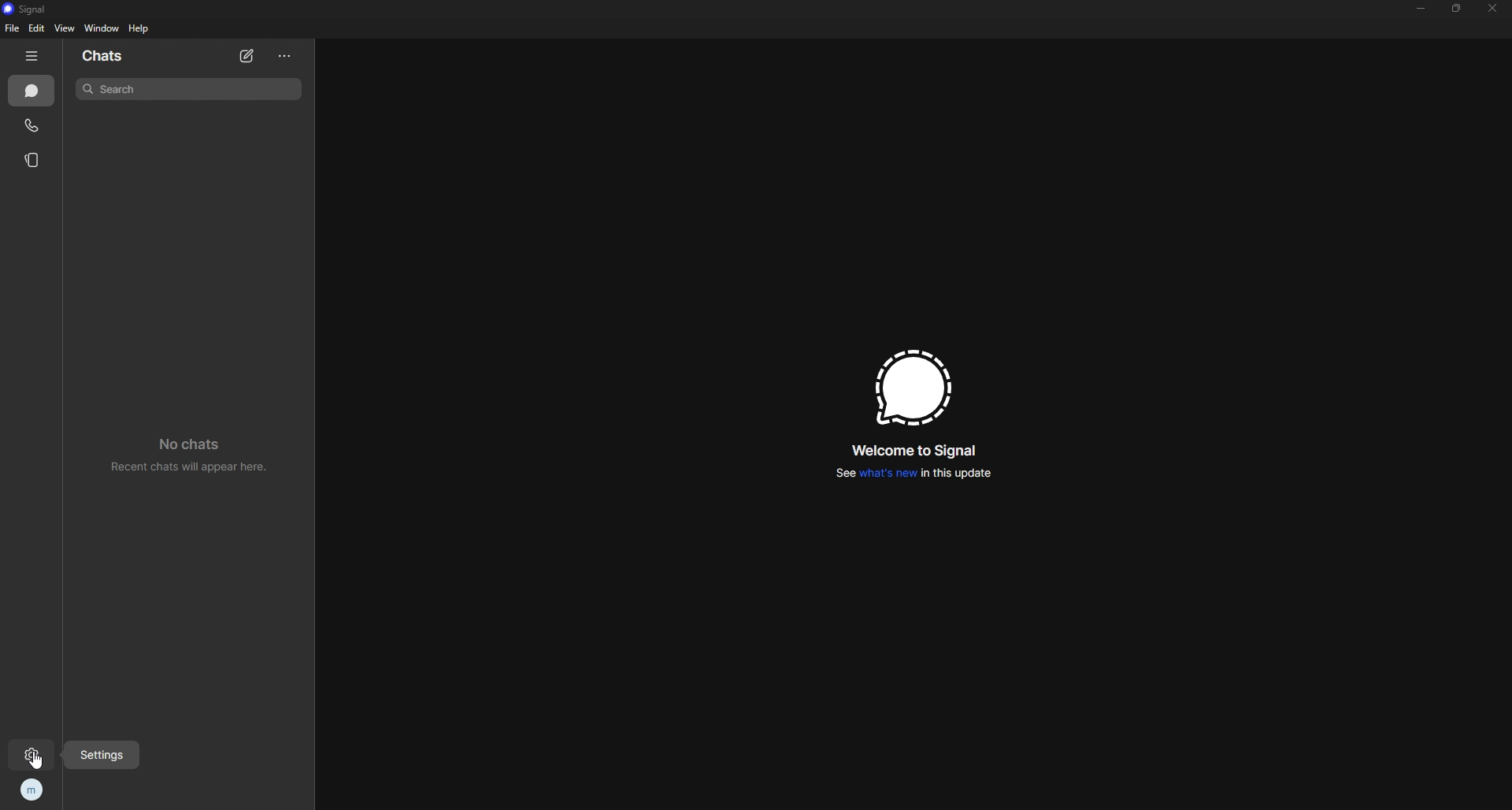 The width and height of the screenshot is (1512, 810). I want to click on stories, so click(34, 160).